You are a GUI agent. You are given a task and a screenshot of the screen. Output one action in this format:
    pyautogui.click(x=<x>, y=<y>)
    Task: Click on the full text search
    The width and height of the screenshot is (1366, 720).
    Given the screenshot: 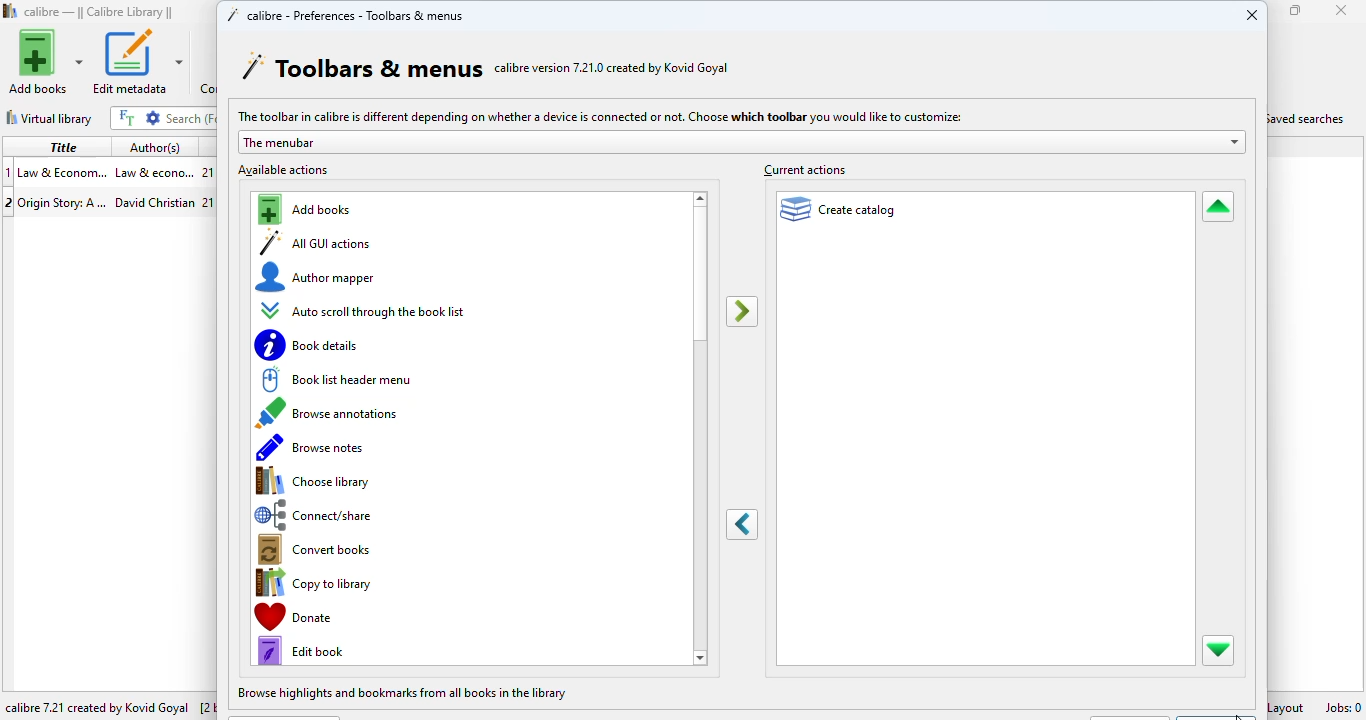 What is the action you would take?
    pyautogui.click(x=126, y=117)
    